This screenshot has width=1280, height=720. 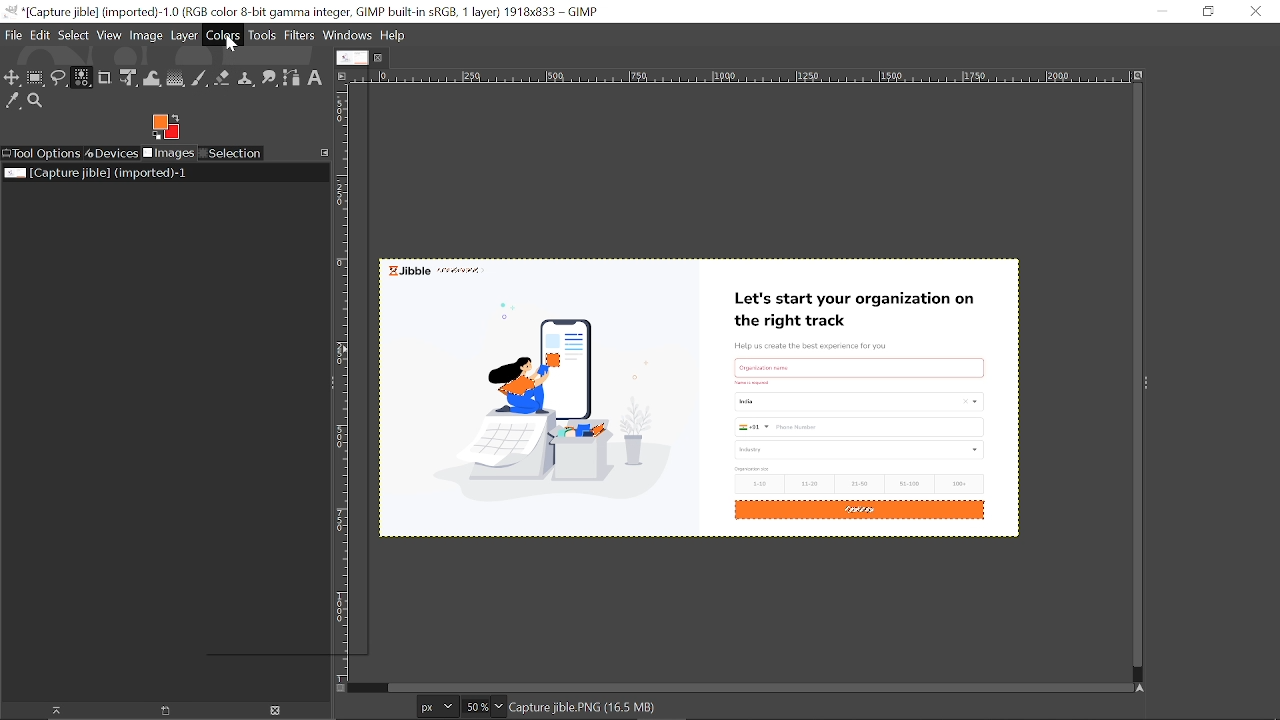 I want to click on Horizontal labe;, so click(x=735, y=78).